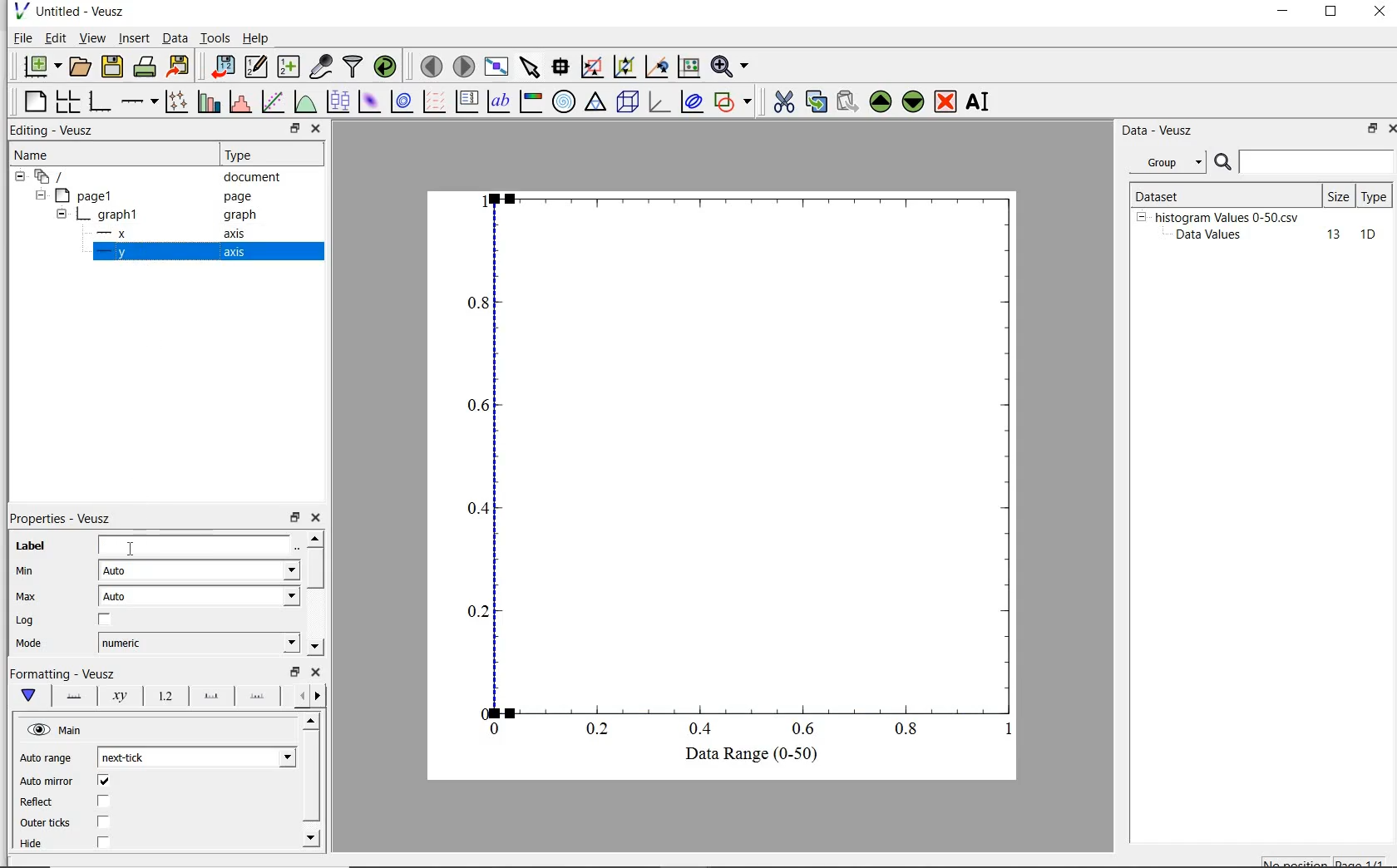 The width and height of the screenshot is (1397, 868). Describe the element at coordinates (30, 571) in the screenshot. I see `min` at that location.